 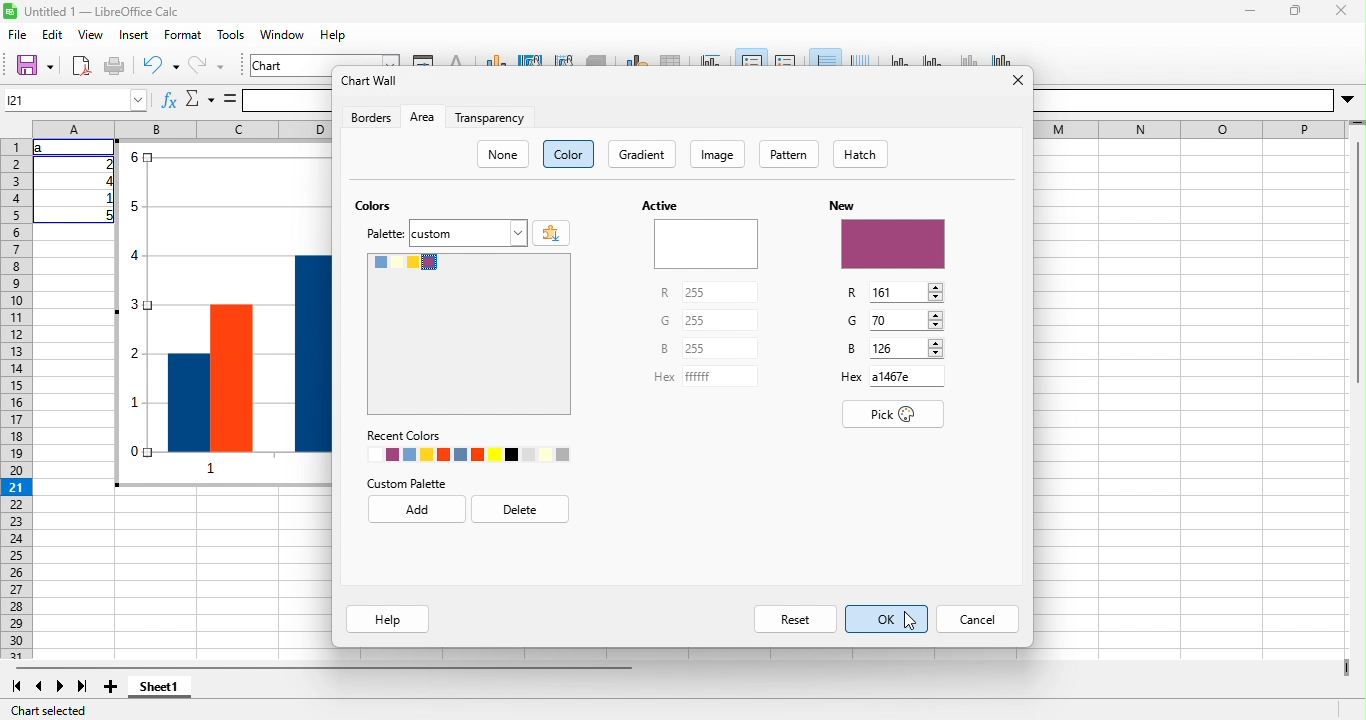 I want to click on image, so click(x=717, y=154).